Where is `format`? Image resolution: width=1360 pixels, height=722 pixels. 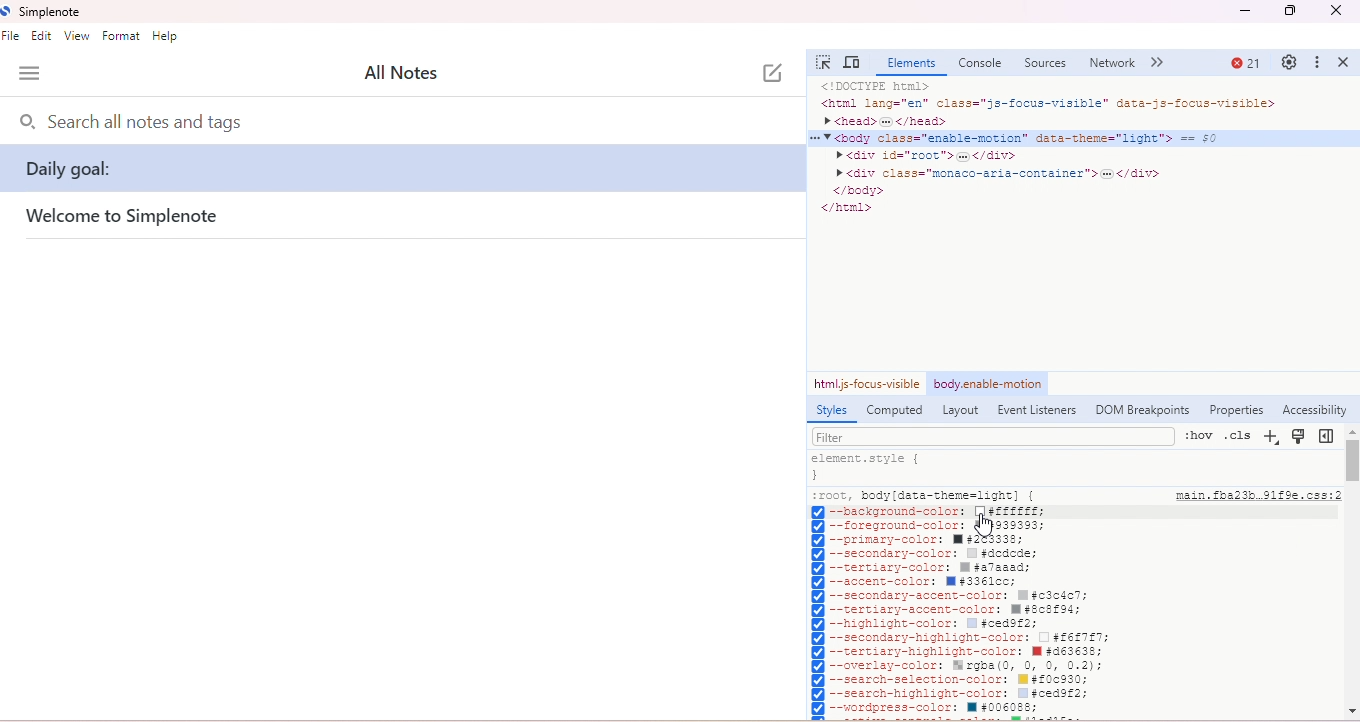 format is located at coordinates (121, 36).